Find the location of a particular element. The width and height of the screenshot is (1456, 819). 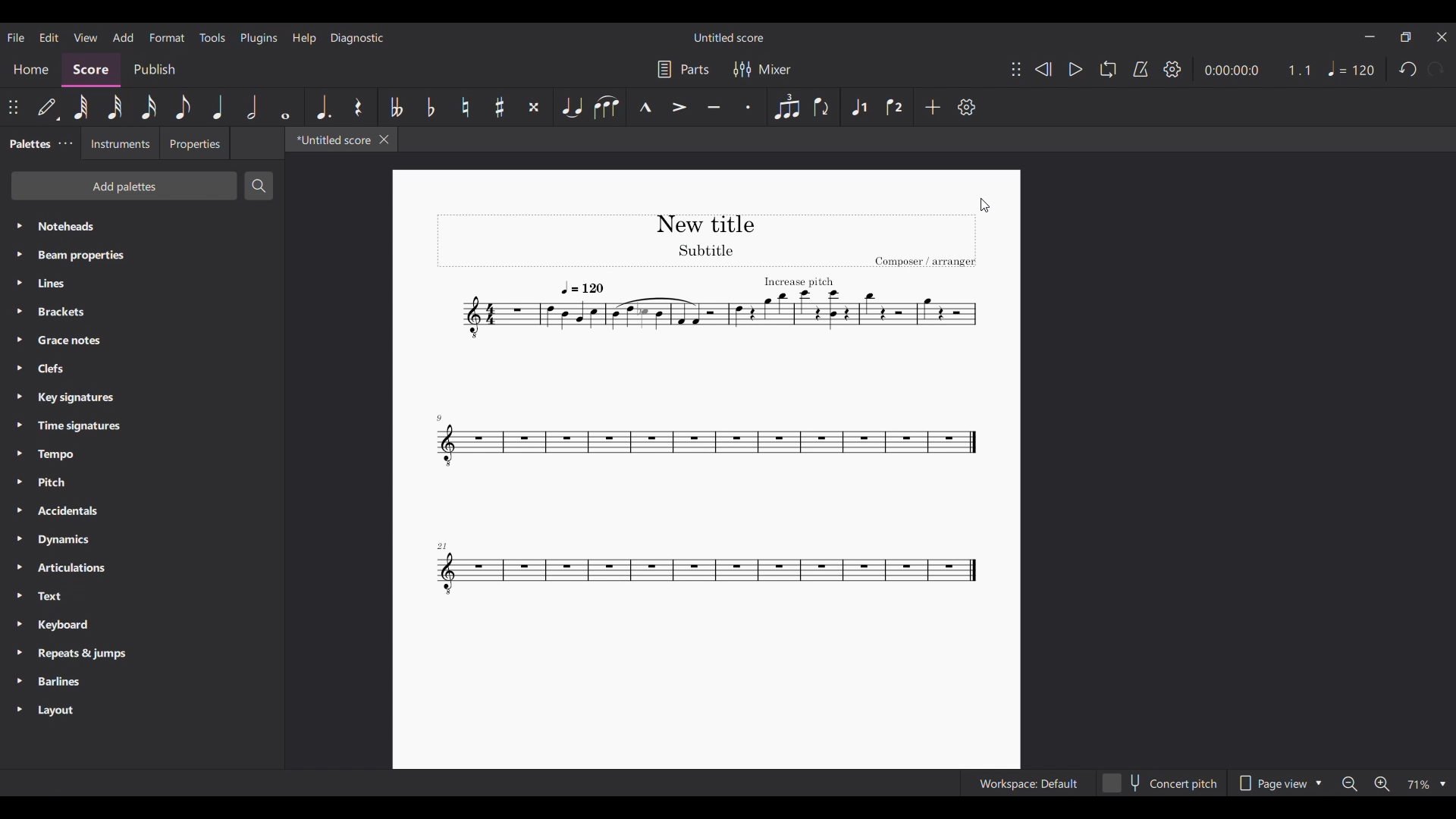

Add is located at coordinates (934, 107).